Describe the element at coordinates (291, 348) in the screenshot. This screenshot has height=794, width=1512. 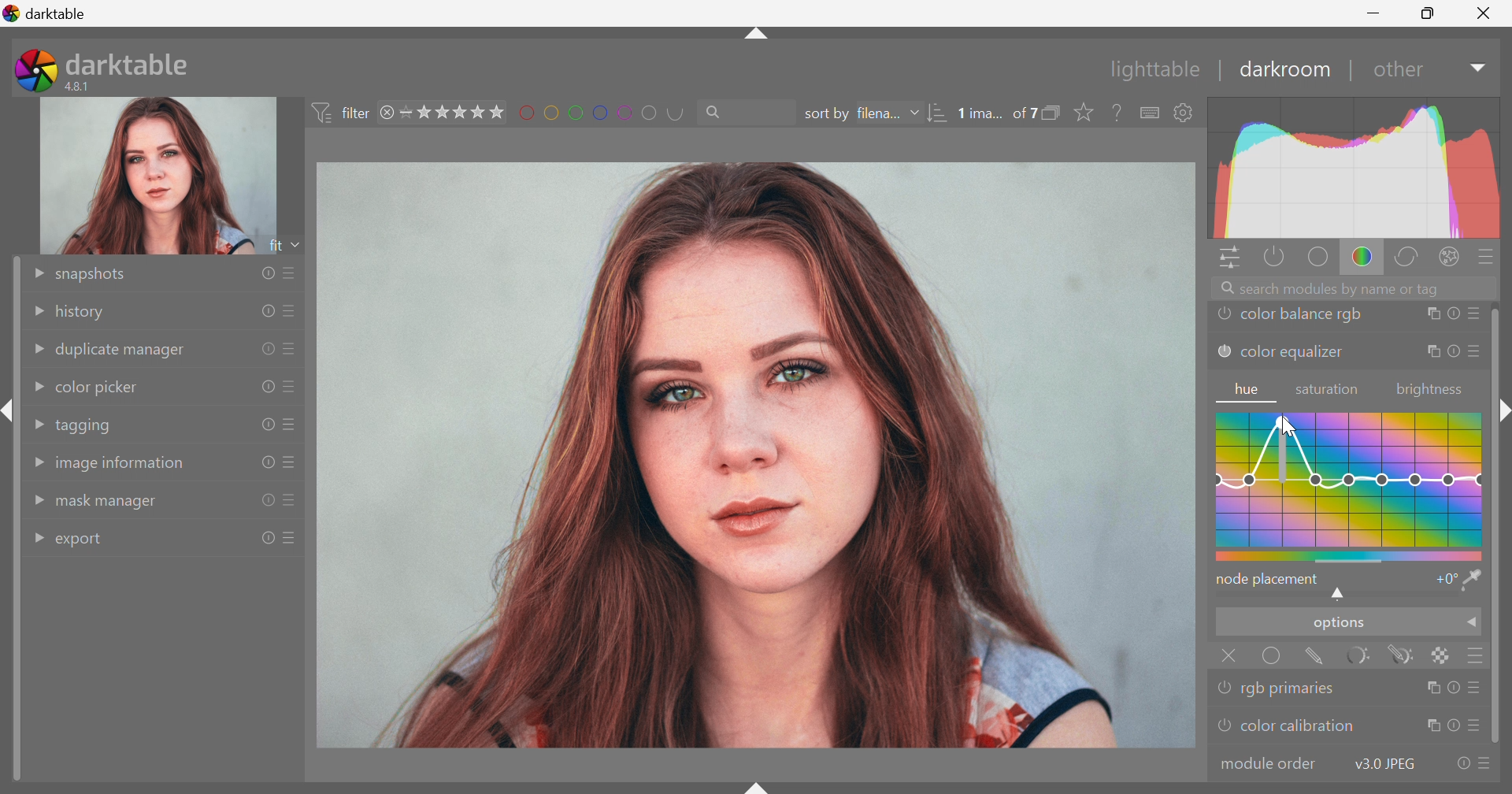
I see `presets` at that location.